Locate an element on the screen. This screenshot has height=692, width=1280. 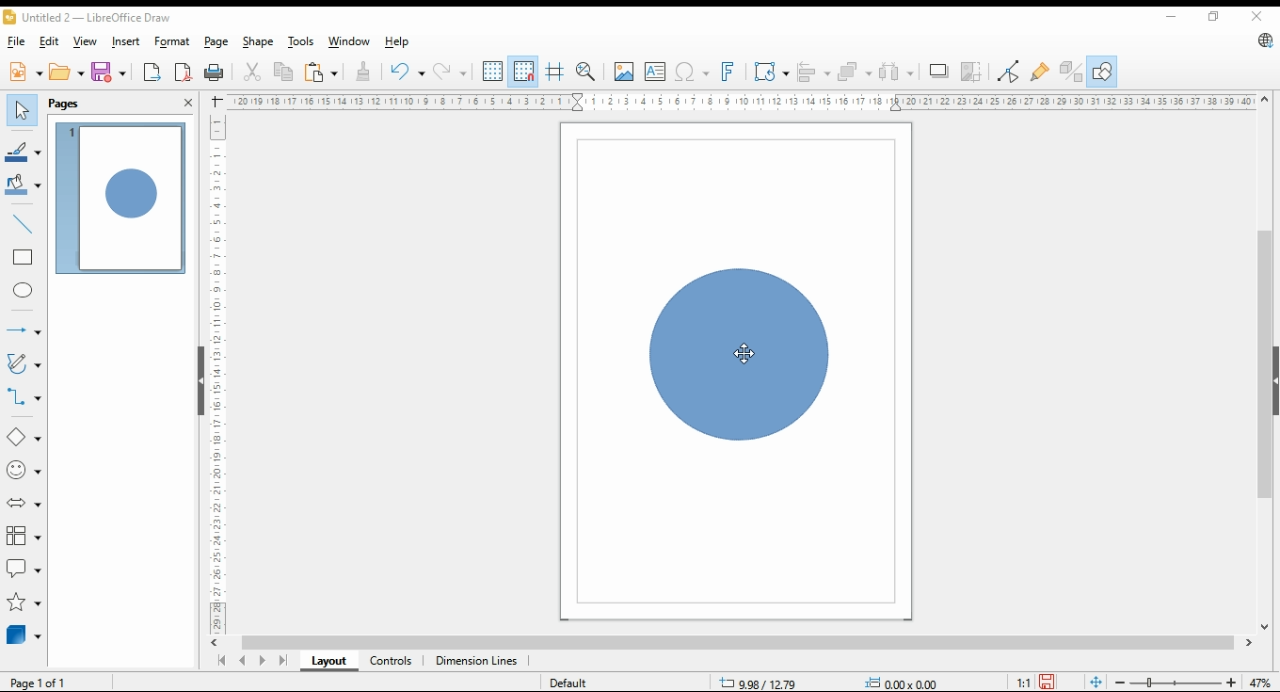
tools is located at coordinates (301, 43).